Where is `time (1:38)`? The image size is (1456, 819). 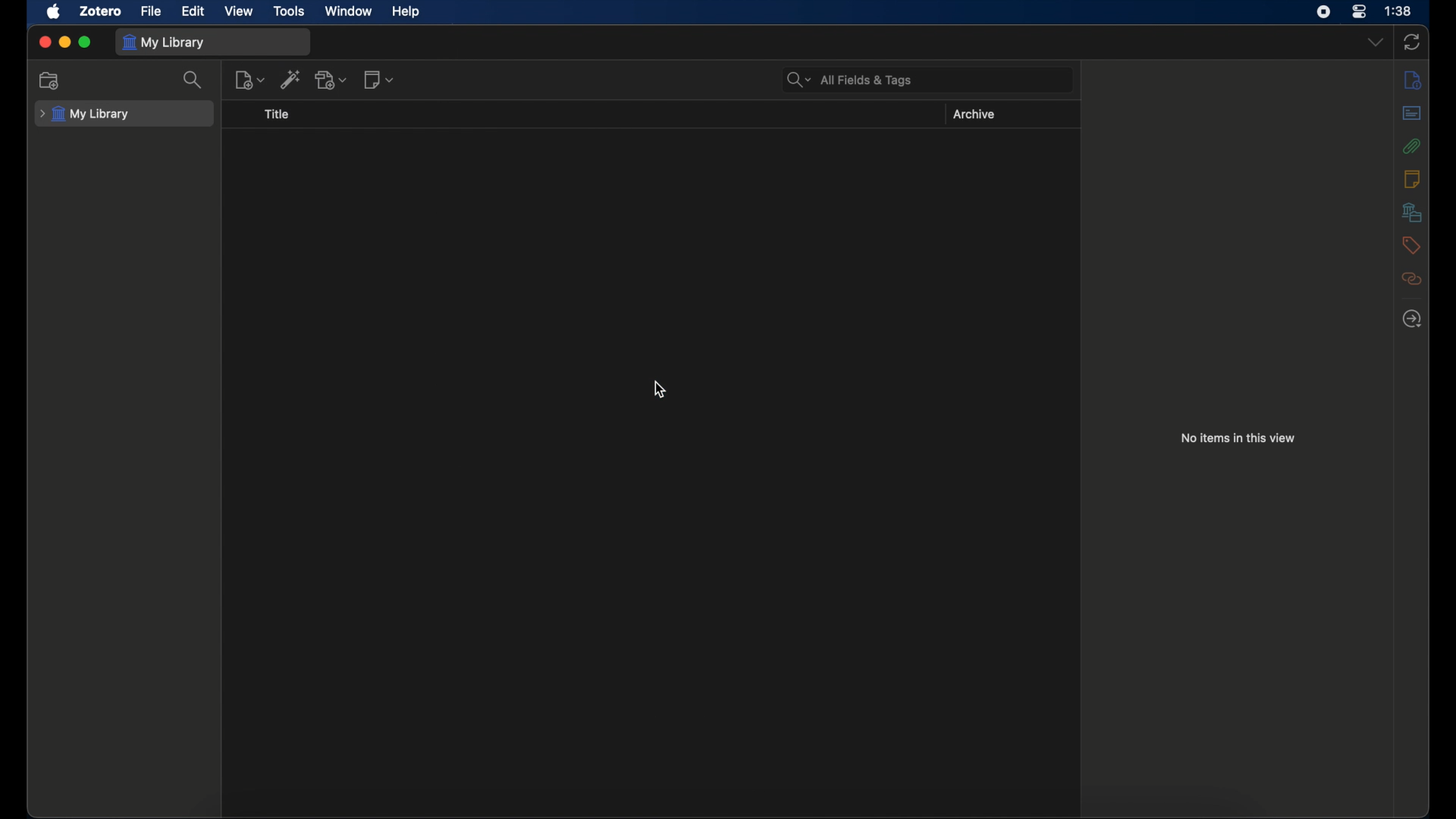
time (1:38) is located at coordinates (1398, 11).